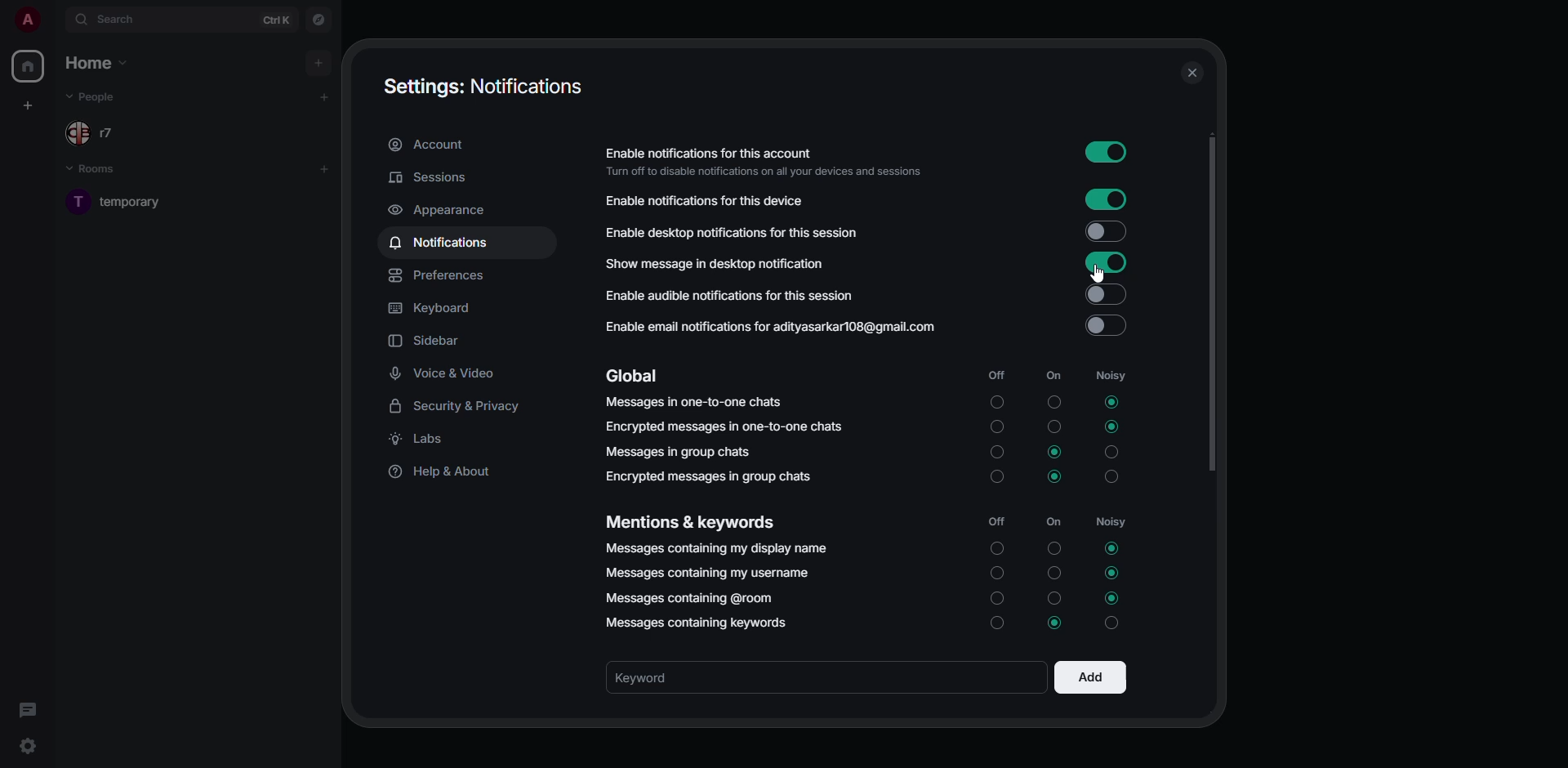 The width and height of the screenshot is (1568, 768). Describe the element at coordinates (727, 428) in the screenshot. I see `encrypted messages in one on one chats` at that location.